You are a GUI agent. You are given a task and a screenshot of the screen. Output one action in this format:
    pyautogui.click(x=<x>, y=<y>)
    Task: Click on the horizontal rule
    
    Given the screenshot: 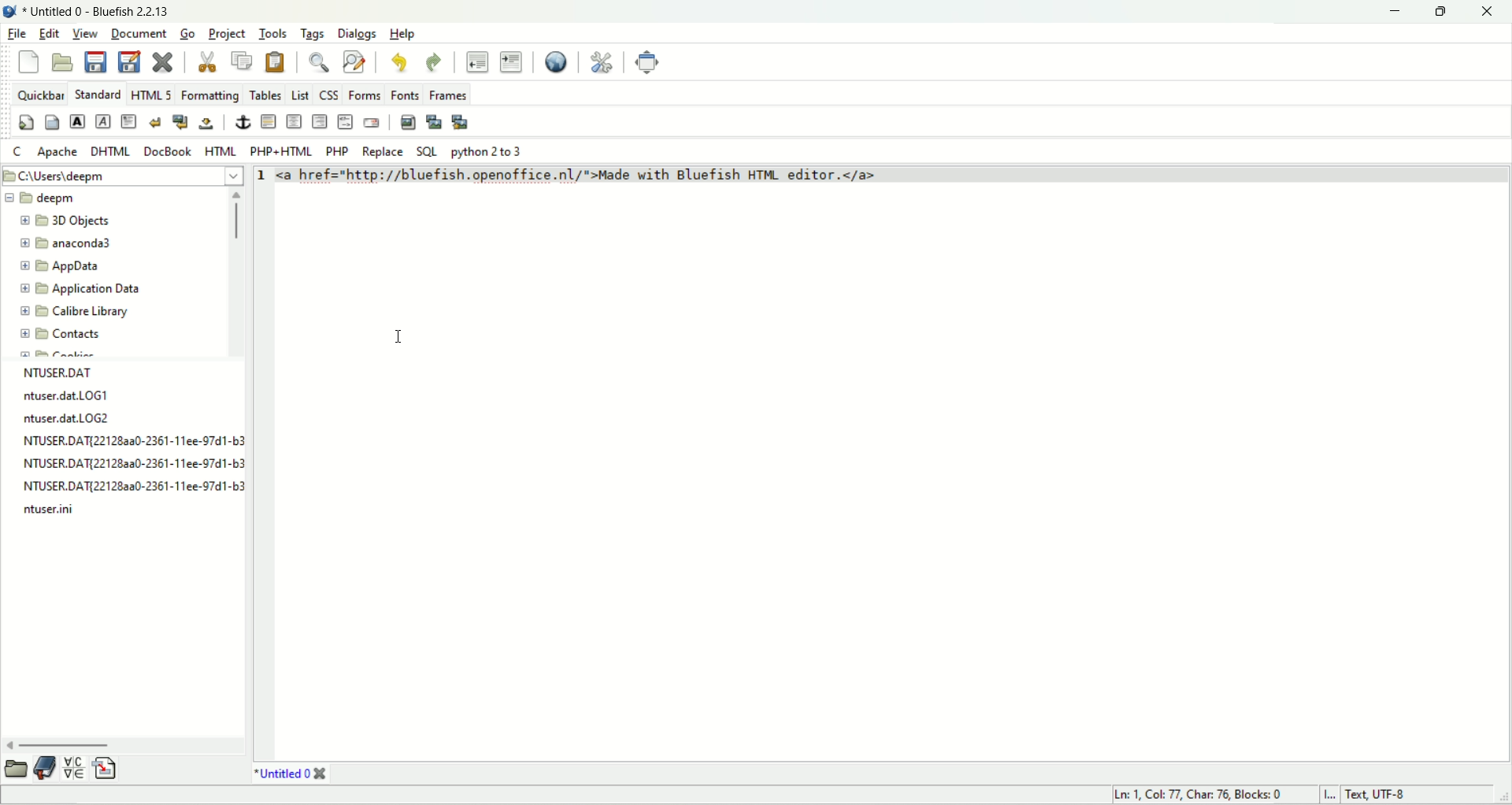 What is the action you would take?
    pyautogui.click(x=266, y=123)
    